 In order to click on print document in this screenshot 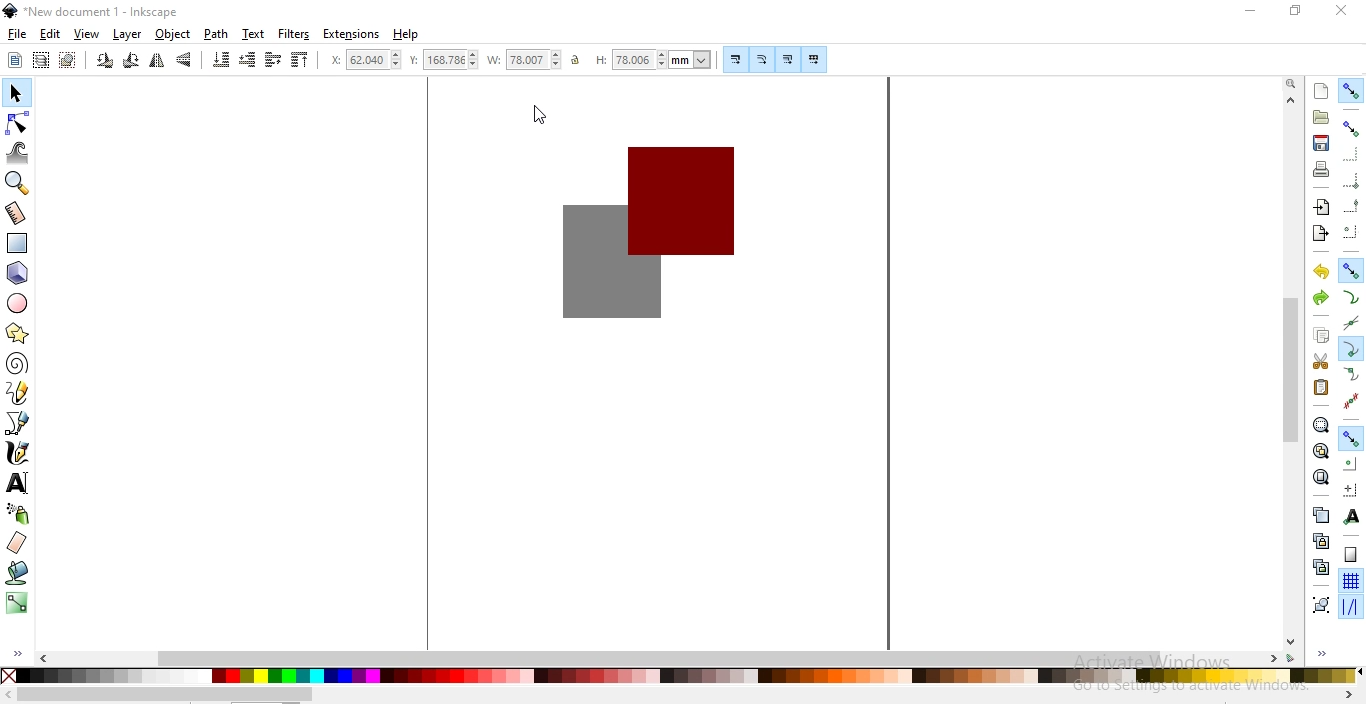, I will do `click(1322, 169)`.